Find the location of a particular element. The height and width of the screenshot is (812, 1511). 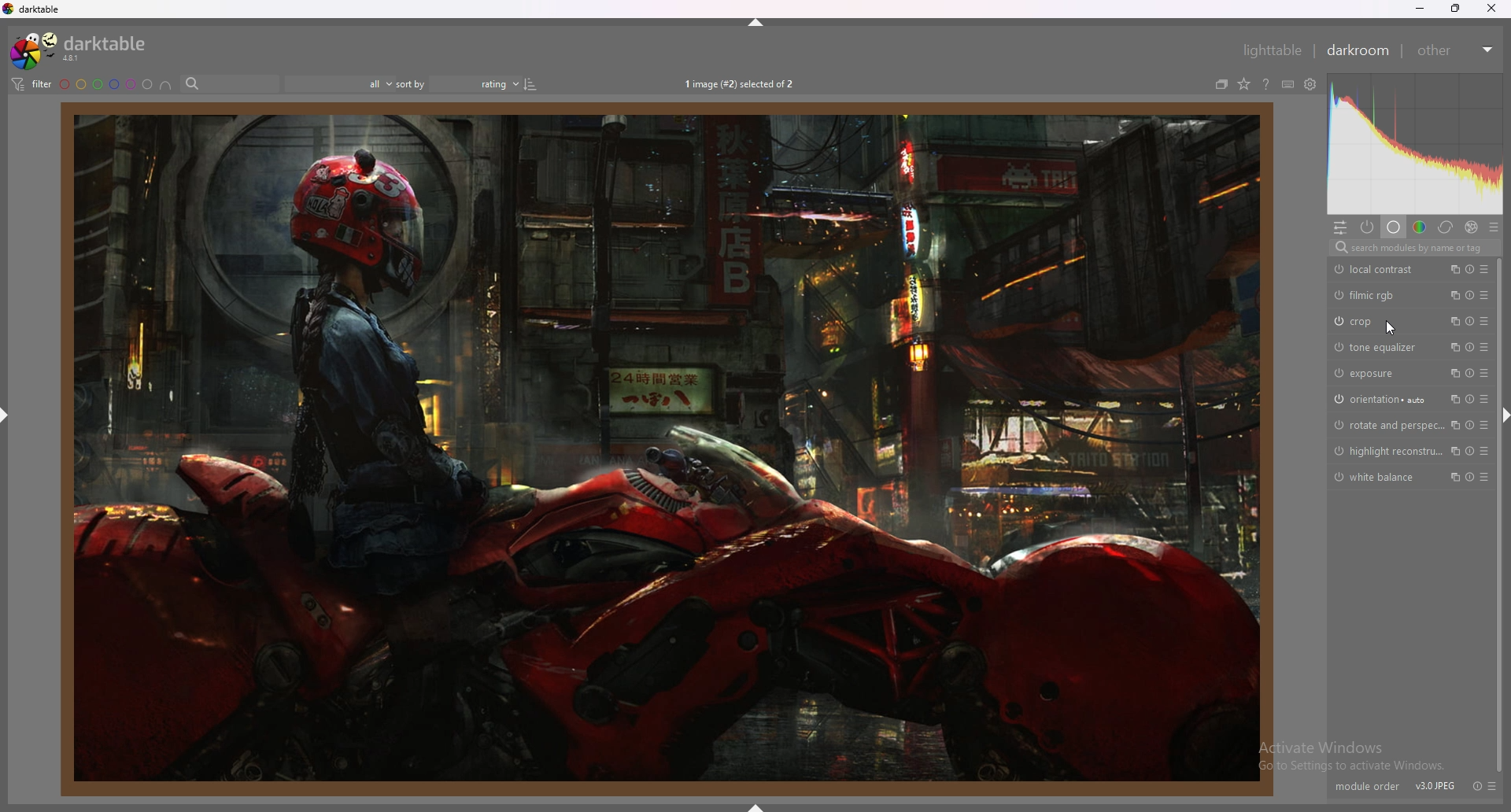

reset is located at coordinates (1469, 373).